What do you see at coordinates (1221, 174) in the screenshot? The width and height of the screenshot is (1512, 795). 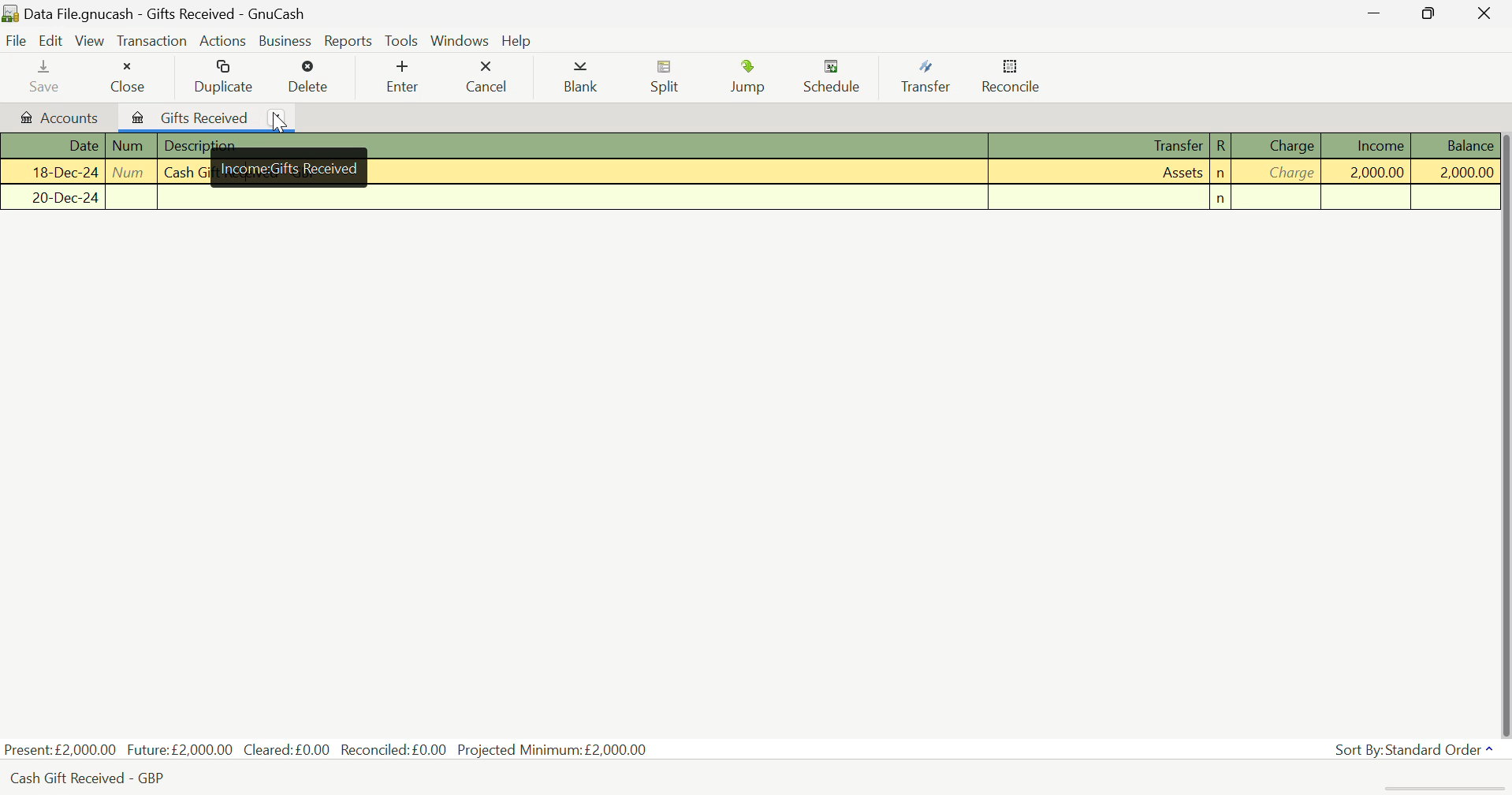 I see `n` at bounding box center [1221, 174].